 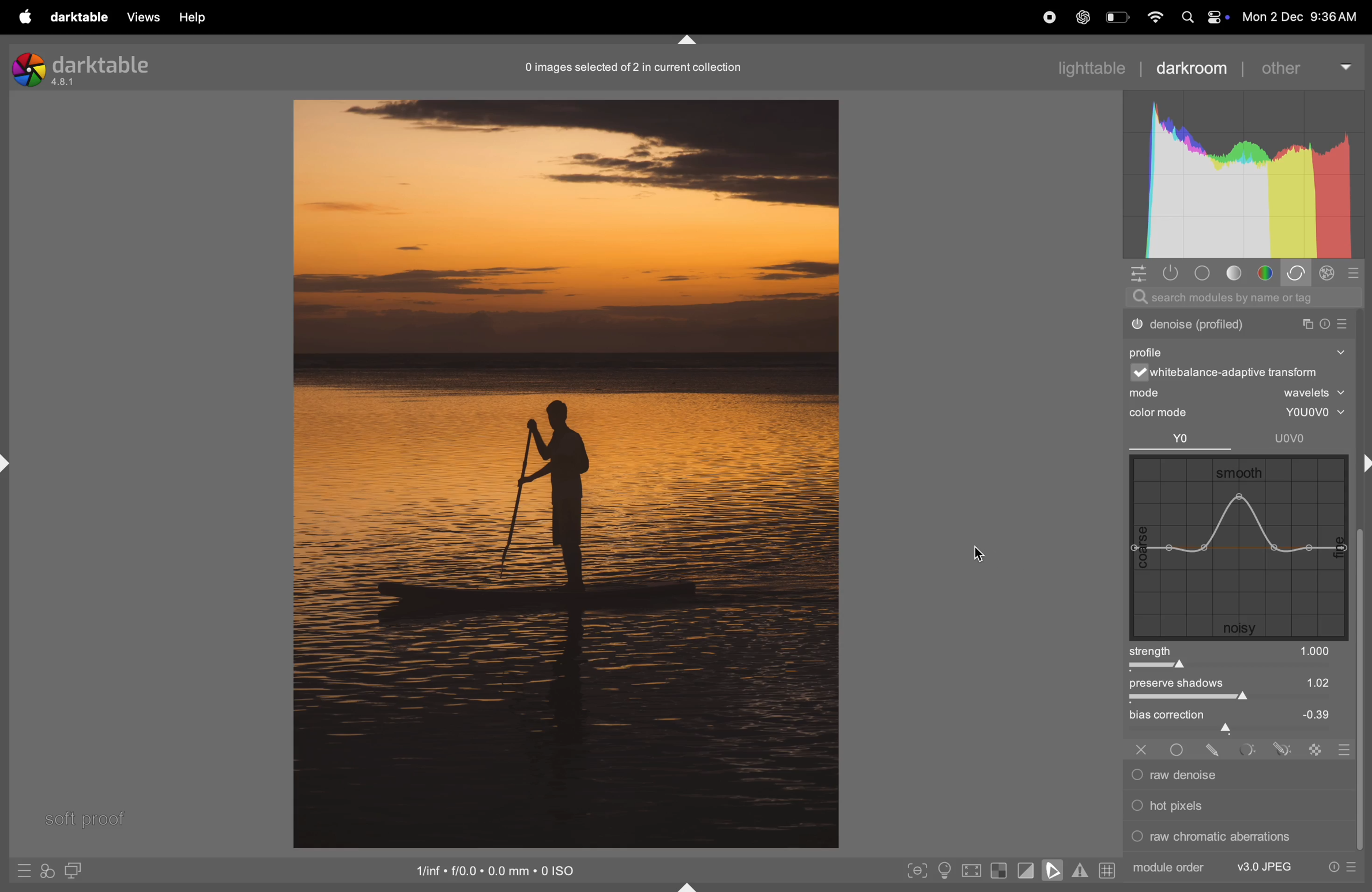 I want to click on image collection, so click(x=631, y=67).